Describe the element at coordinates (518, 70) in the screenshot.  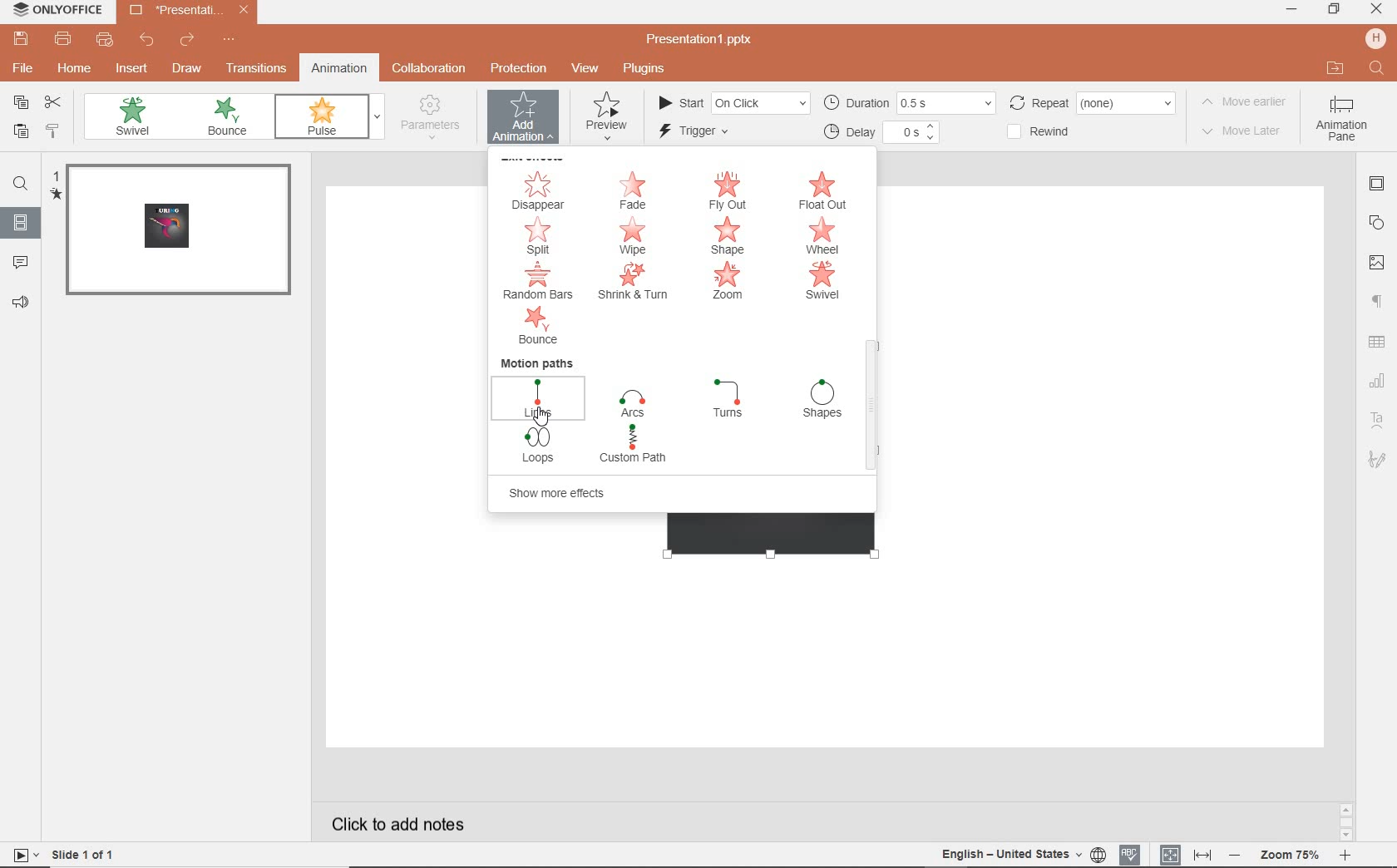
I see `protection` at that location.